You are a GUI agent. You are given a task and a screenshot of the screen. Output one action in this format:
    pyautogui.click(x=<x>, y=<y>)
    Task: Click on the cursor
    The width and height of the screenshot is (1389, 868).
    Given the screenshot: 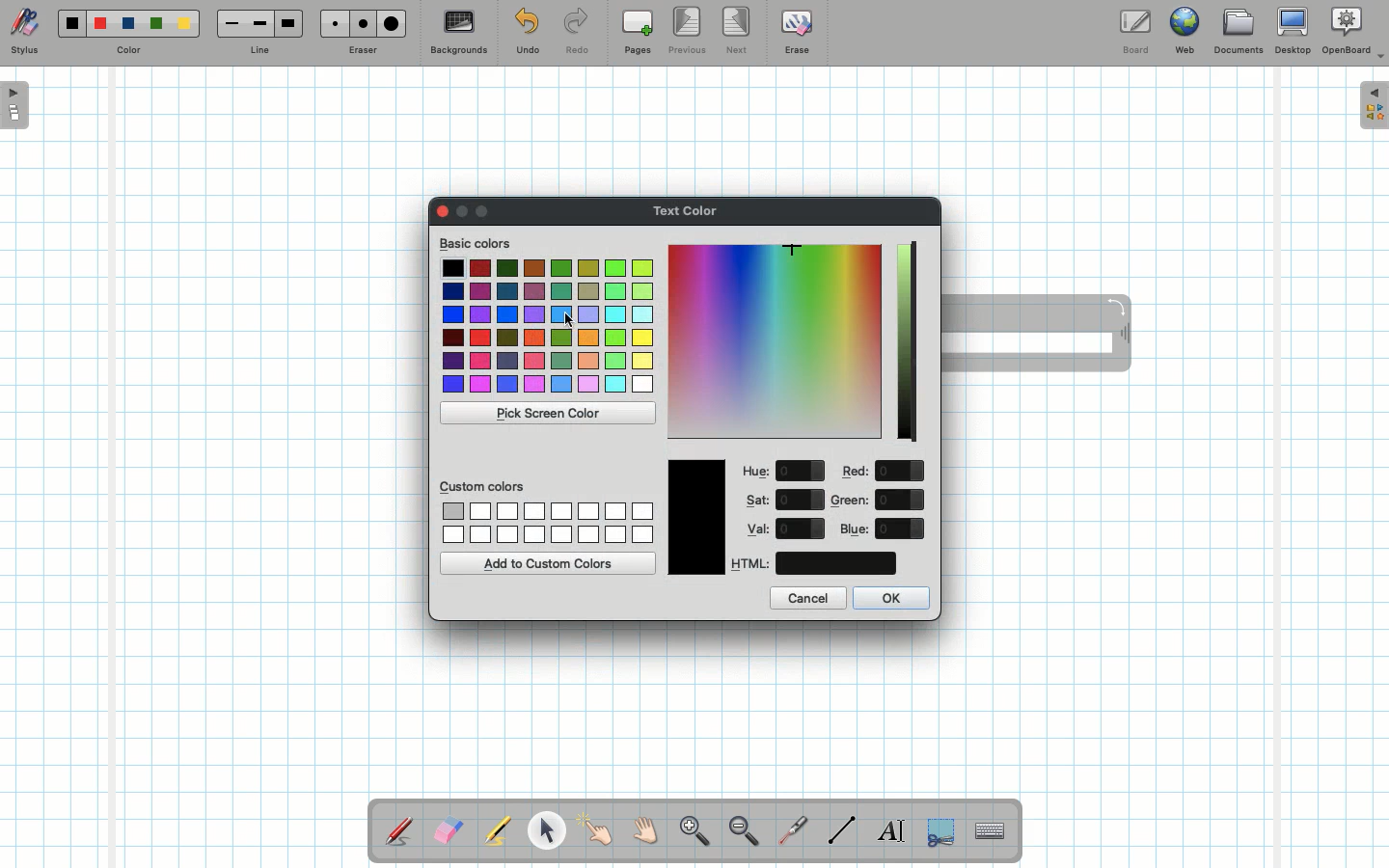 What is the action you would take?
    pyautogui.click(x=570, y=318)
    